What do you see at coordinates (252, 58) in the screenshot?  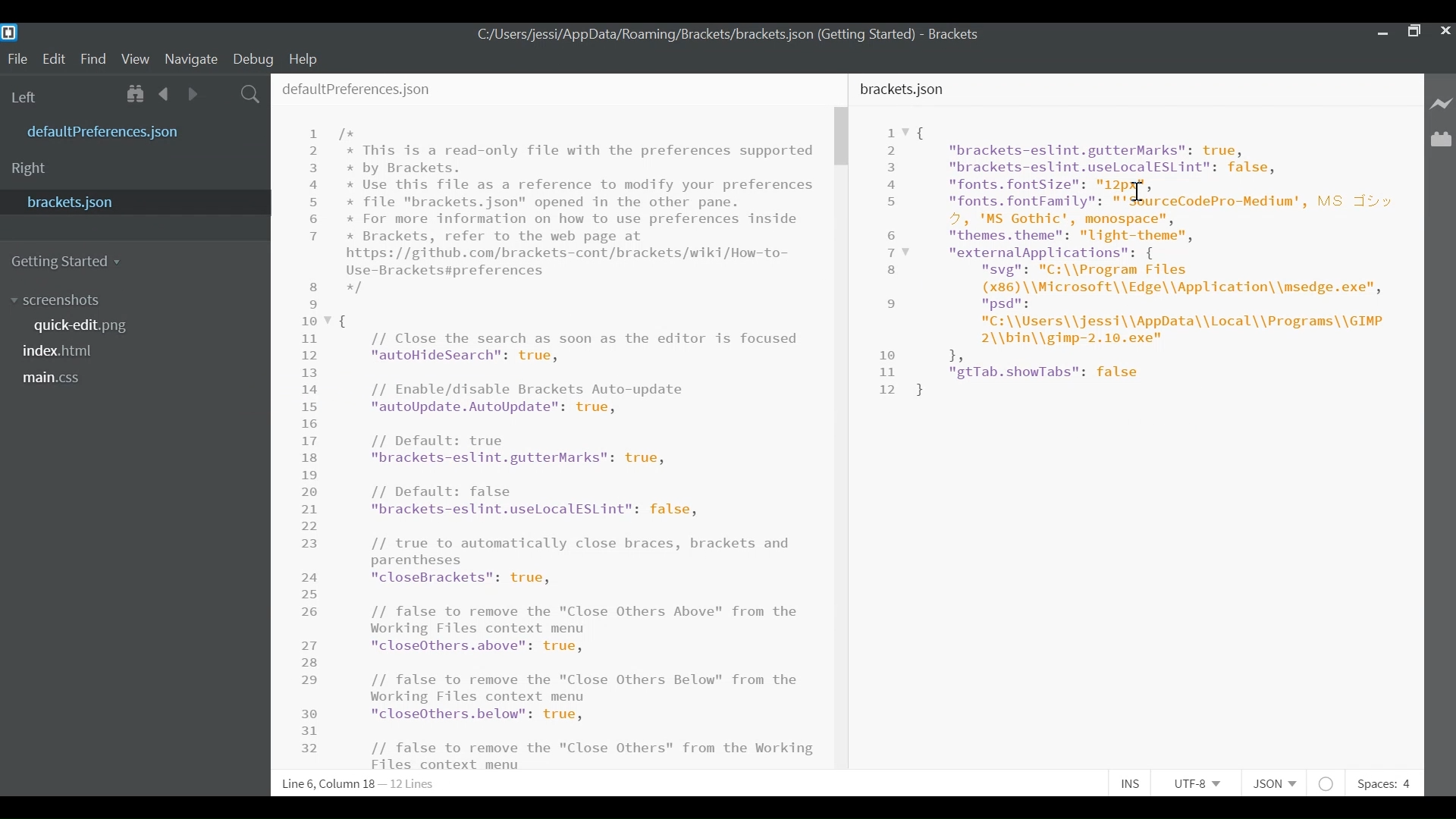 I see `Debug` at bounding box center [252, 58].